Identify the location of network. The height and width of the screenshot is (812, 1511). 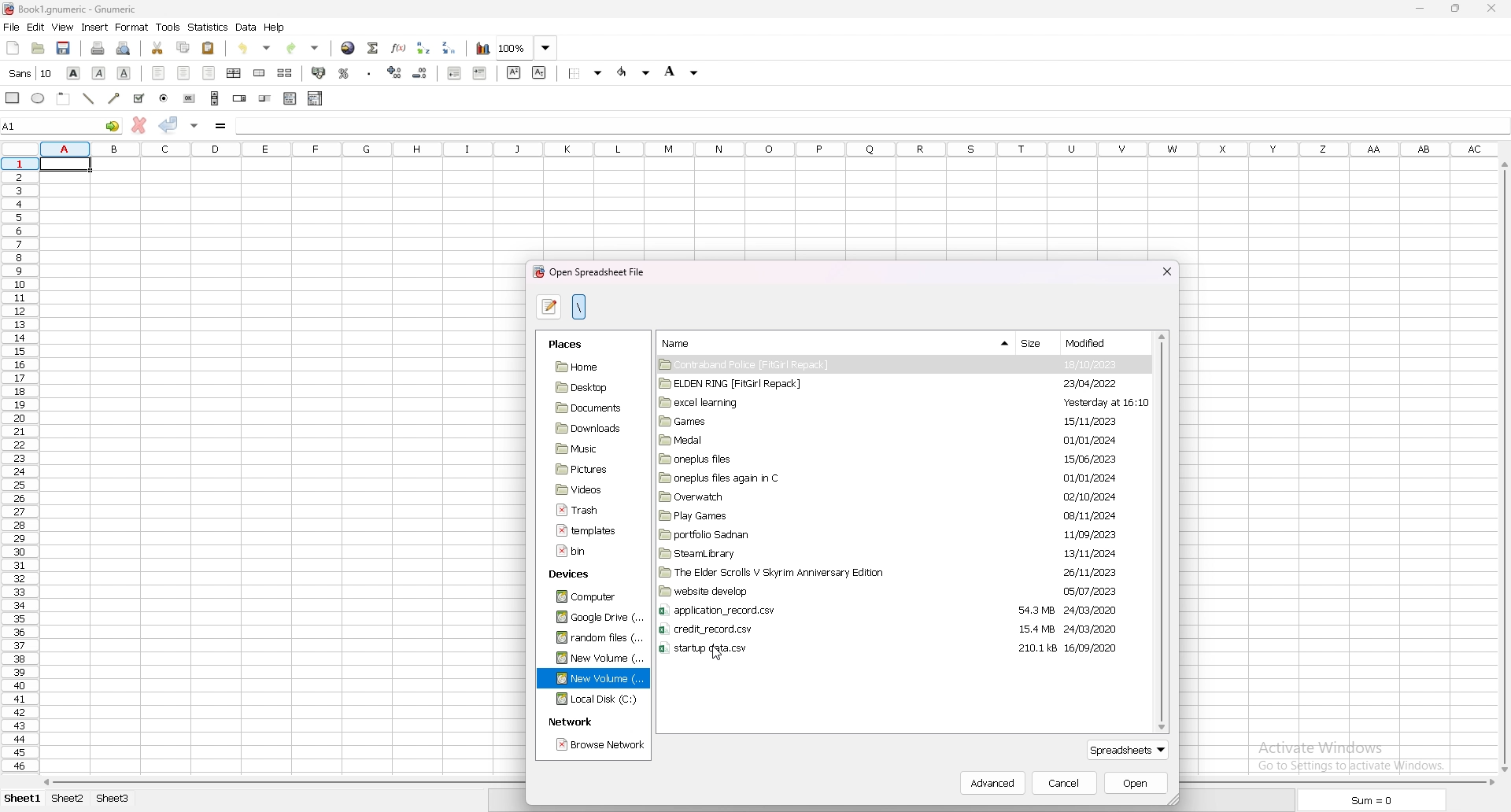
(571, 722).